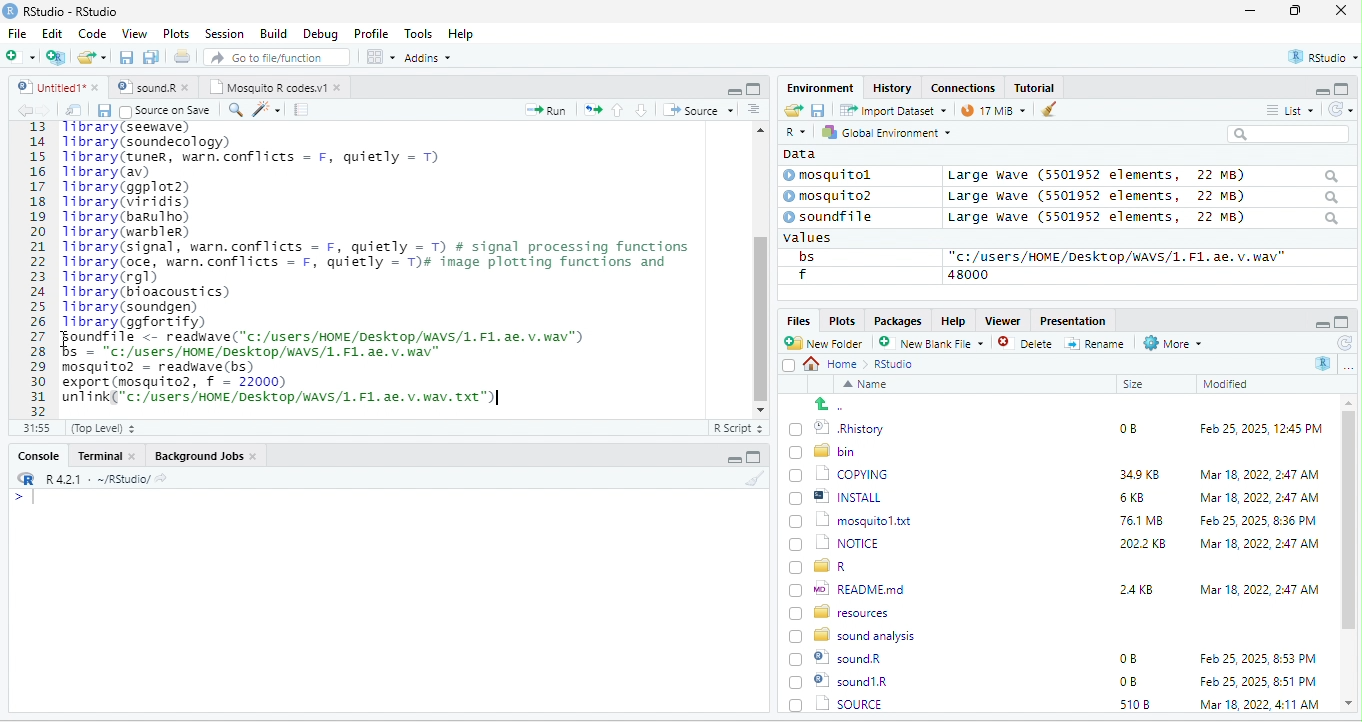 This screenshot has width=1362, height=722. I want to click on bs, so click(803, 256).